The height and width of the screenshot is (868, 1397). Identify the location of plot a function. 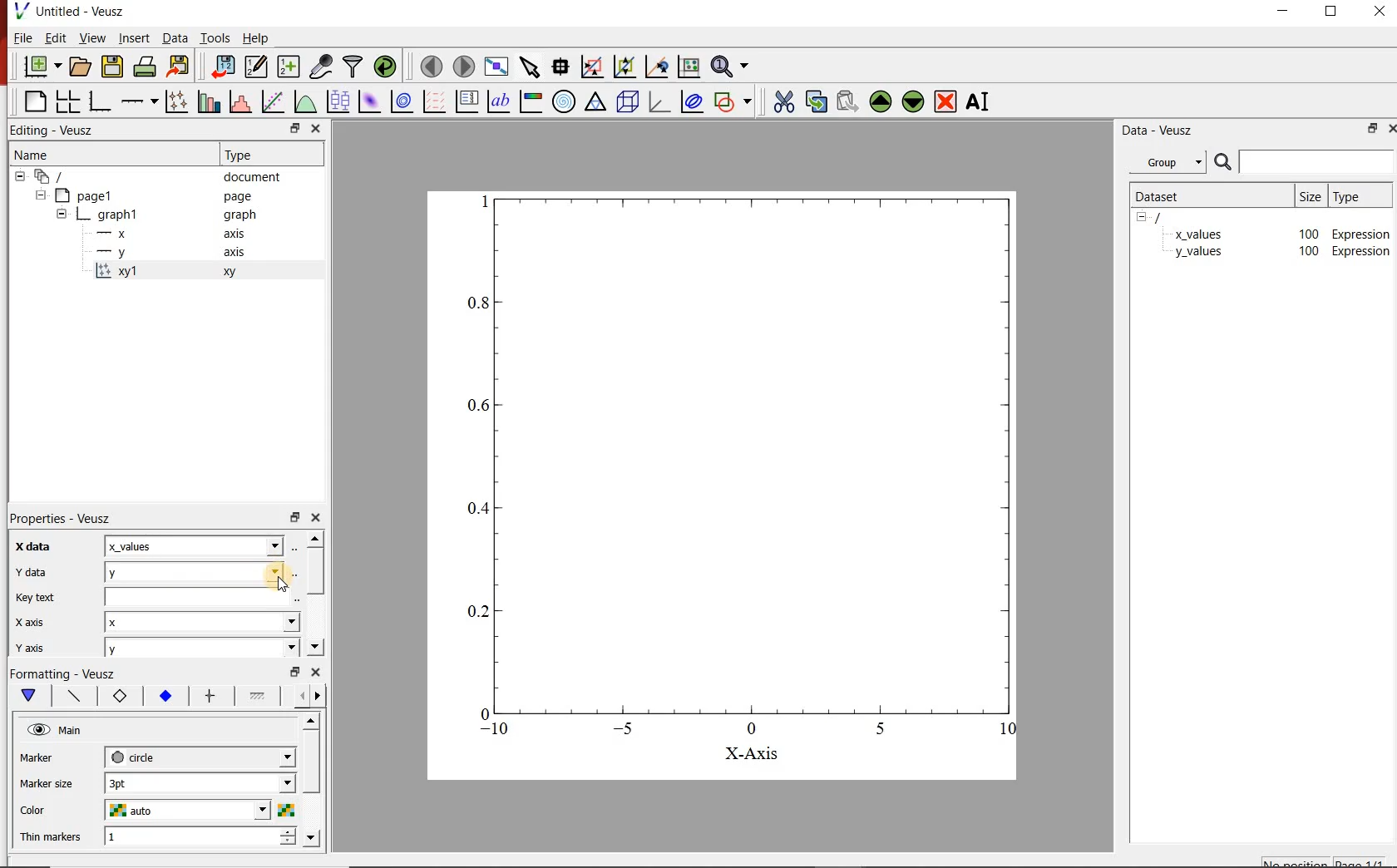
(303, 100).